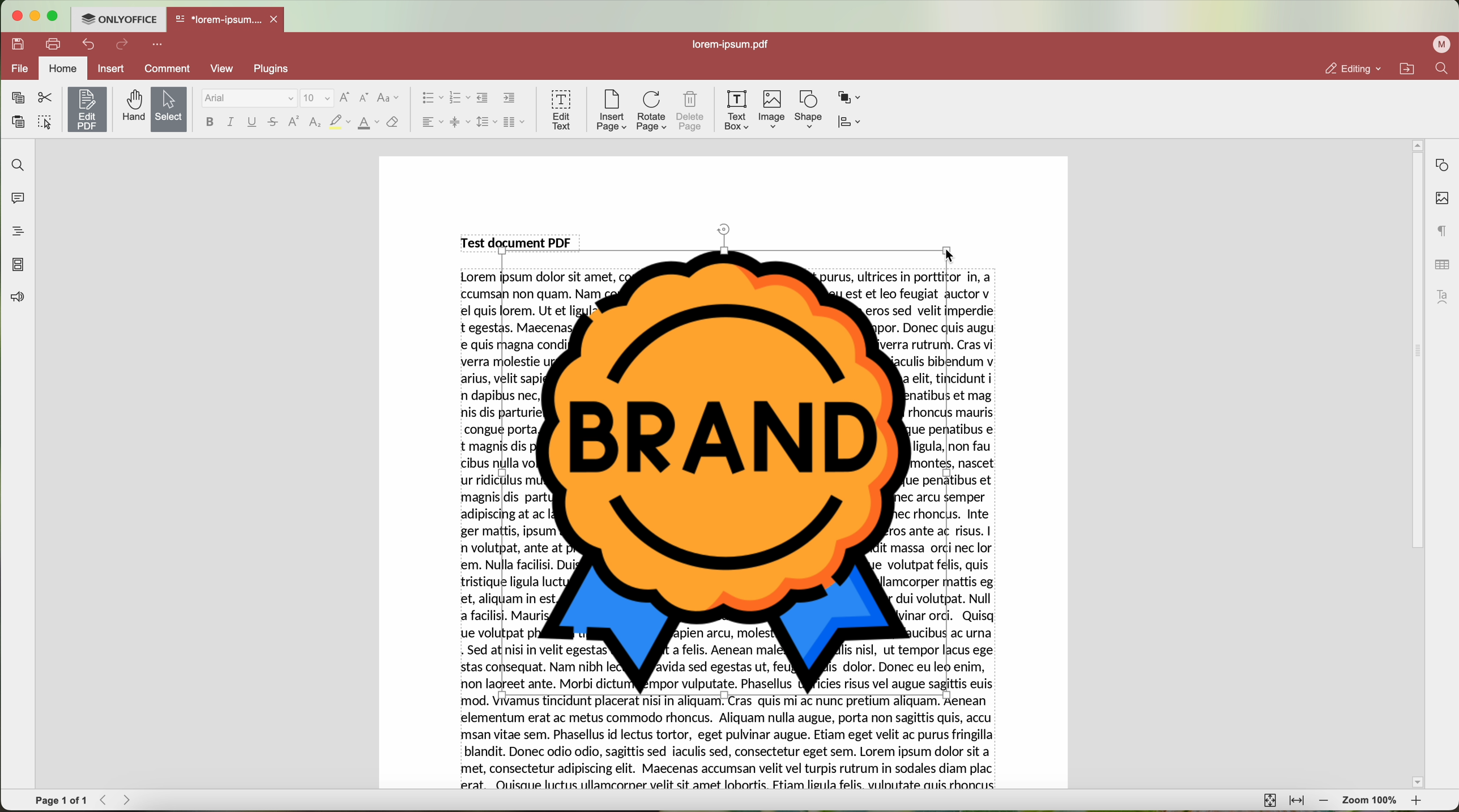  Describe the element at coordinates (652, 112) in the screenshot. I see `rotate page` at that location.